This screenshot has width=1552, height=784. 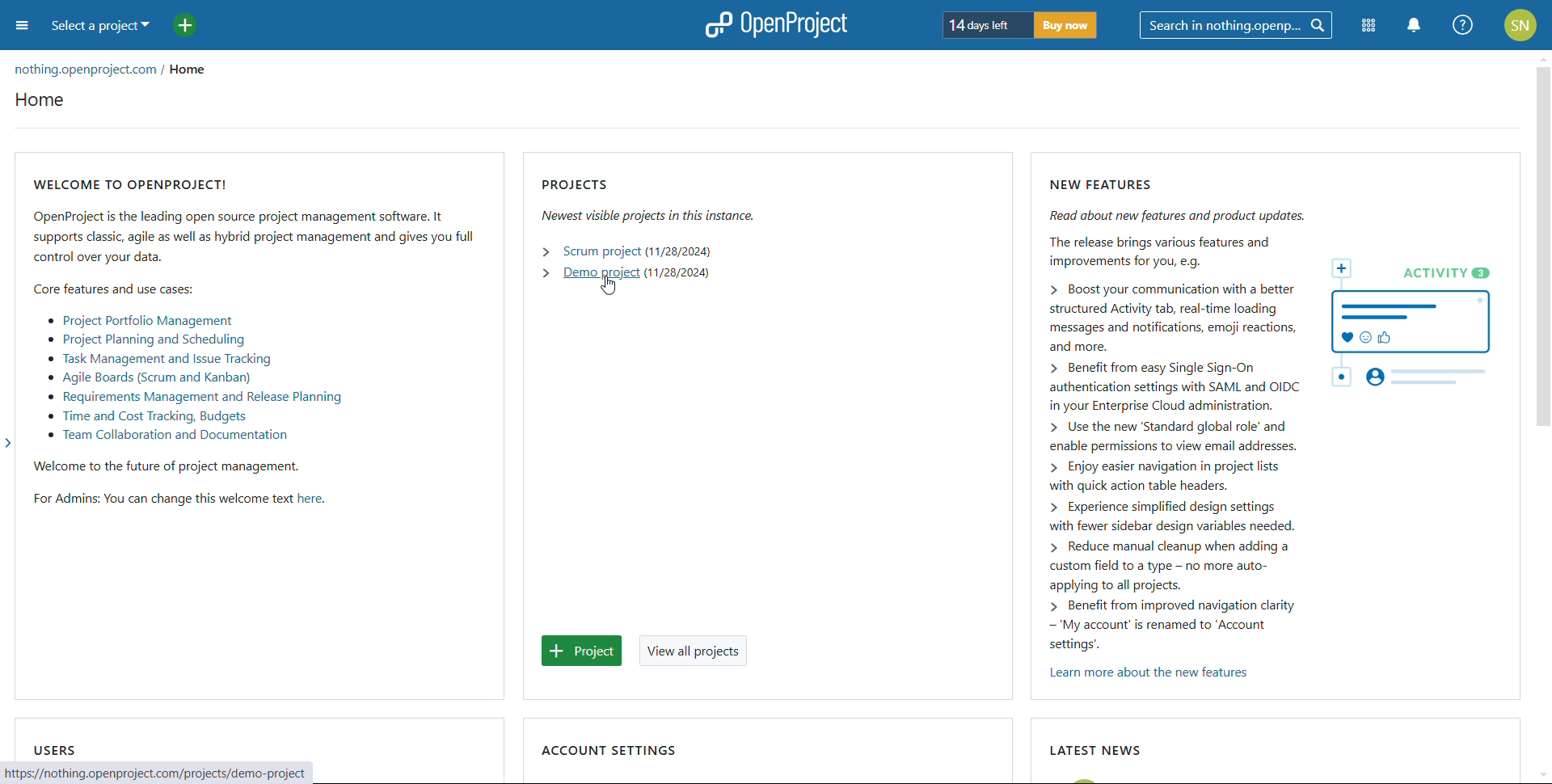 What do you see at coordinates (609, 752) in the screenshot?
I see `account settings` at bounding box center [609, 752].